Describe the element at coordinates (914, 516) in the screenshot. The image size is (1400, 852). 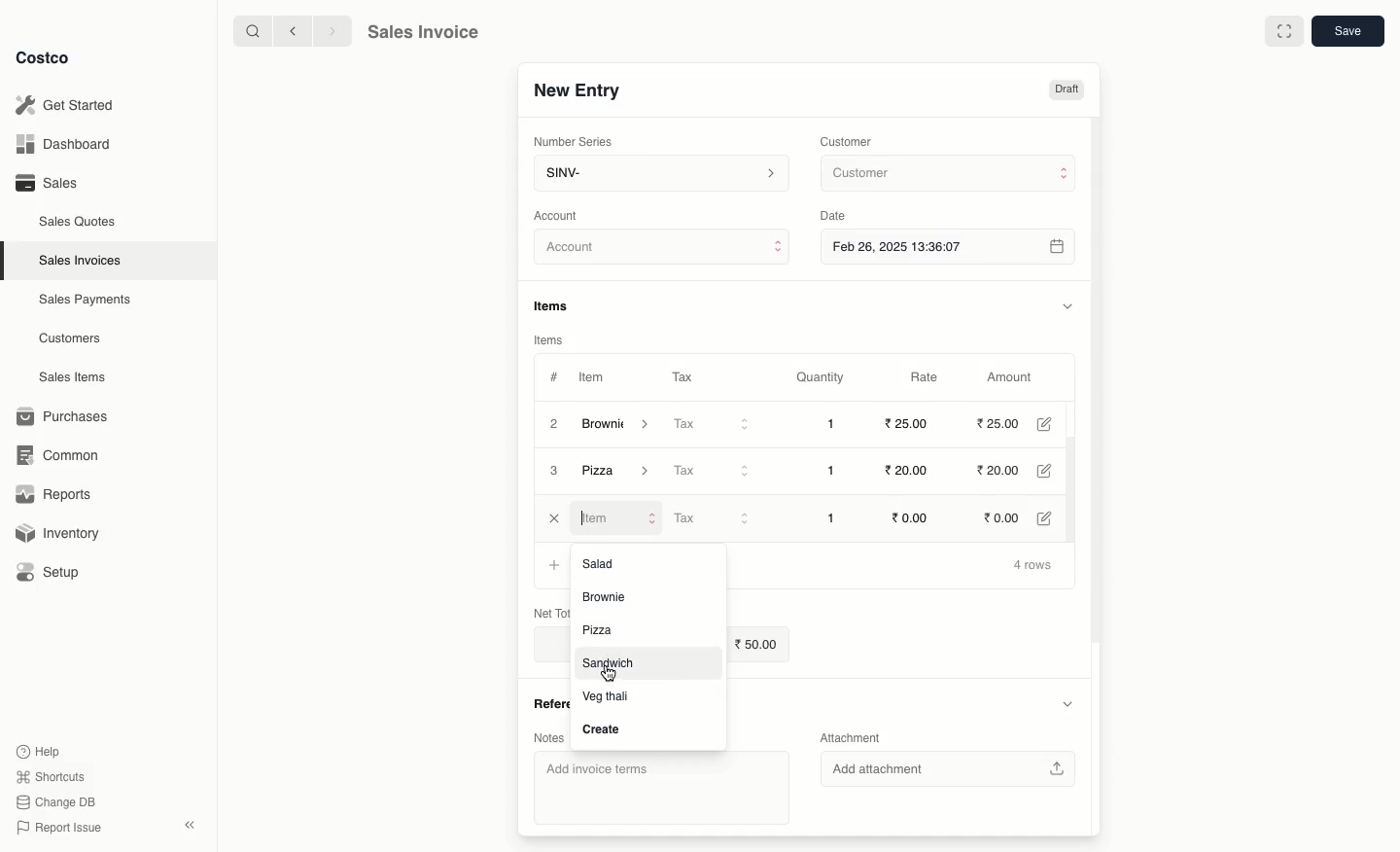
I see `0.00` at that location.